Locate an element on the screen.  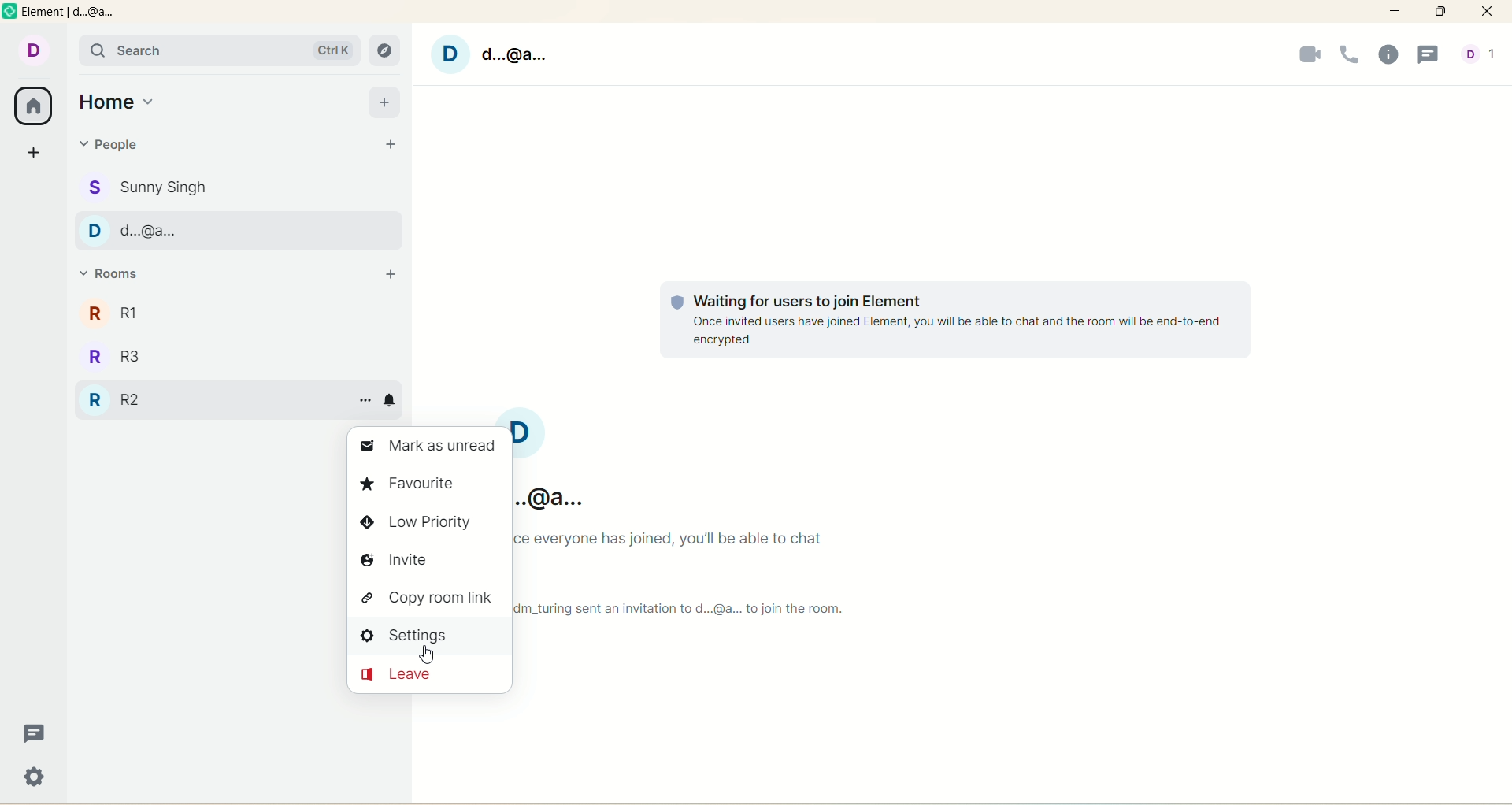
options is located at coordinates (362, 400).